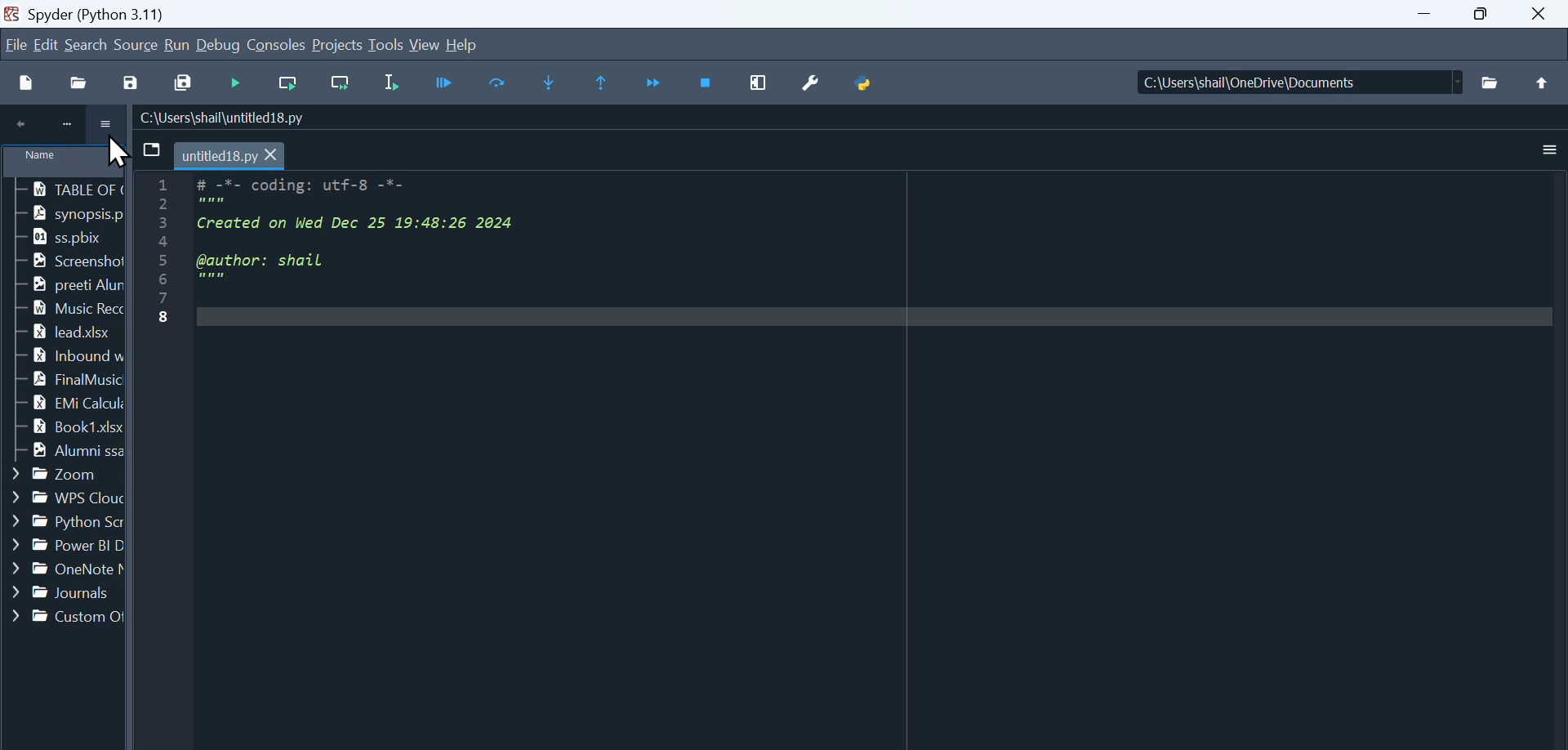 The width and height of the screenshot is (1568, 750). Describe the element at coordinates (63, 404) in the screenshot. I see `EM: Calcul:..` at that location.